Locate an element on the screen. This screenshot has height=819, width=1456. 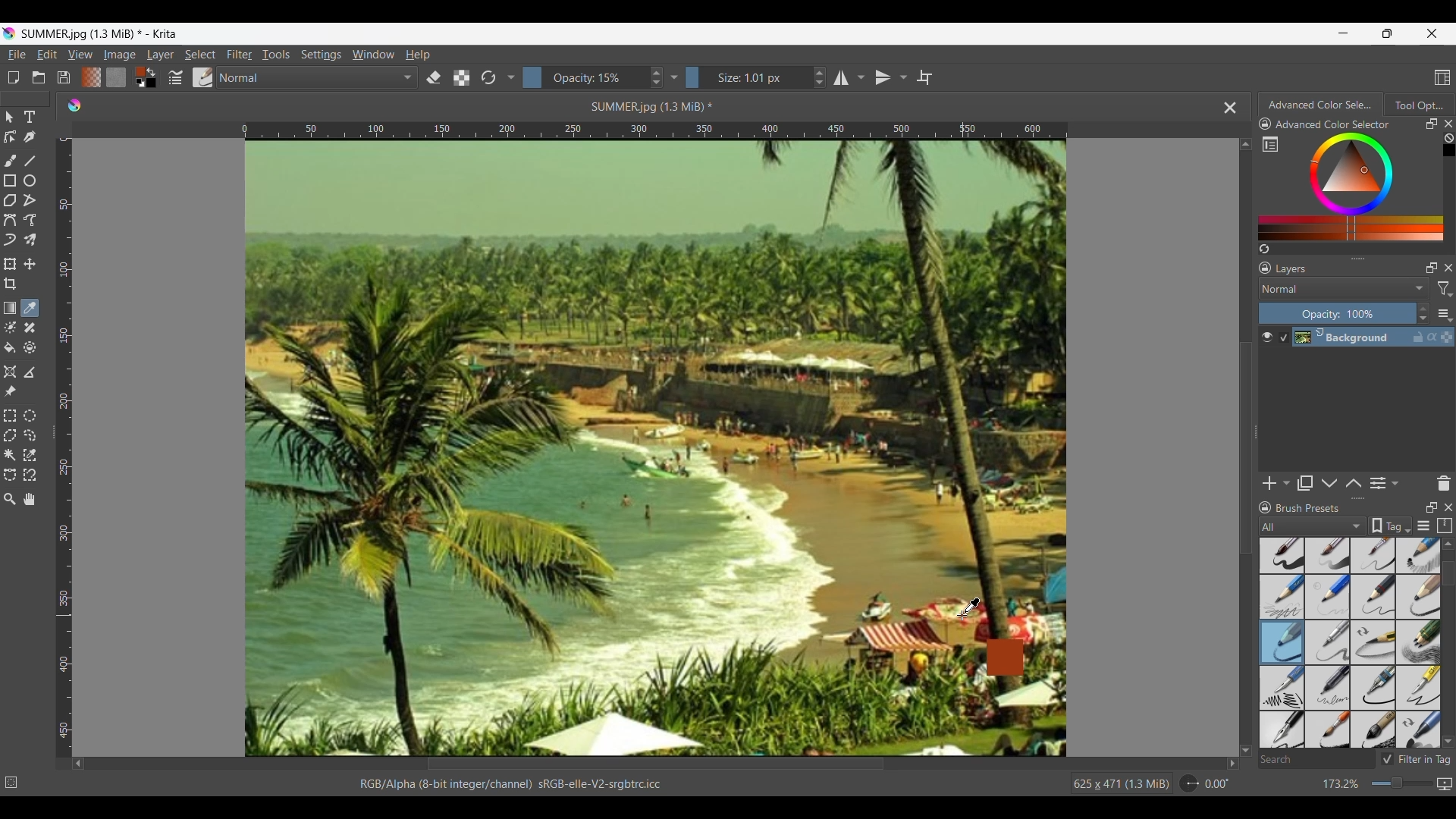
Edit brush settings is located at coordinates (176, 77).